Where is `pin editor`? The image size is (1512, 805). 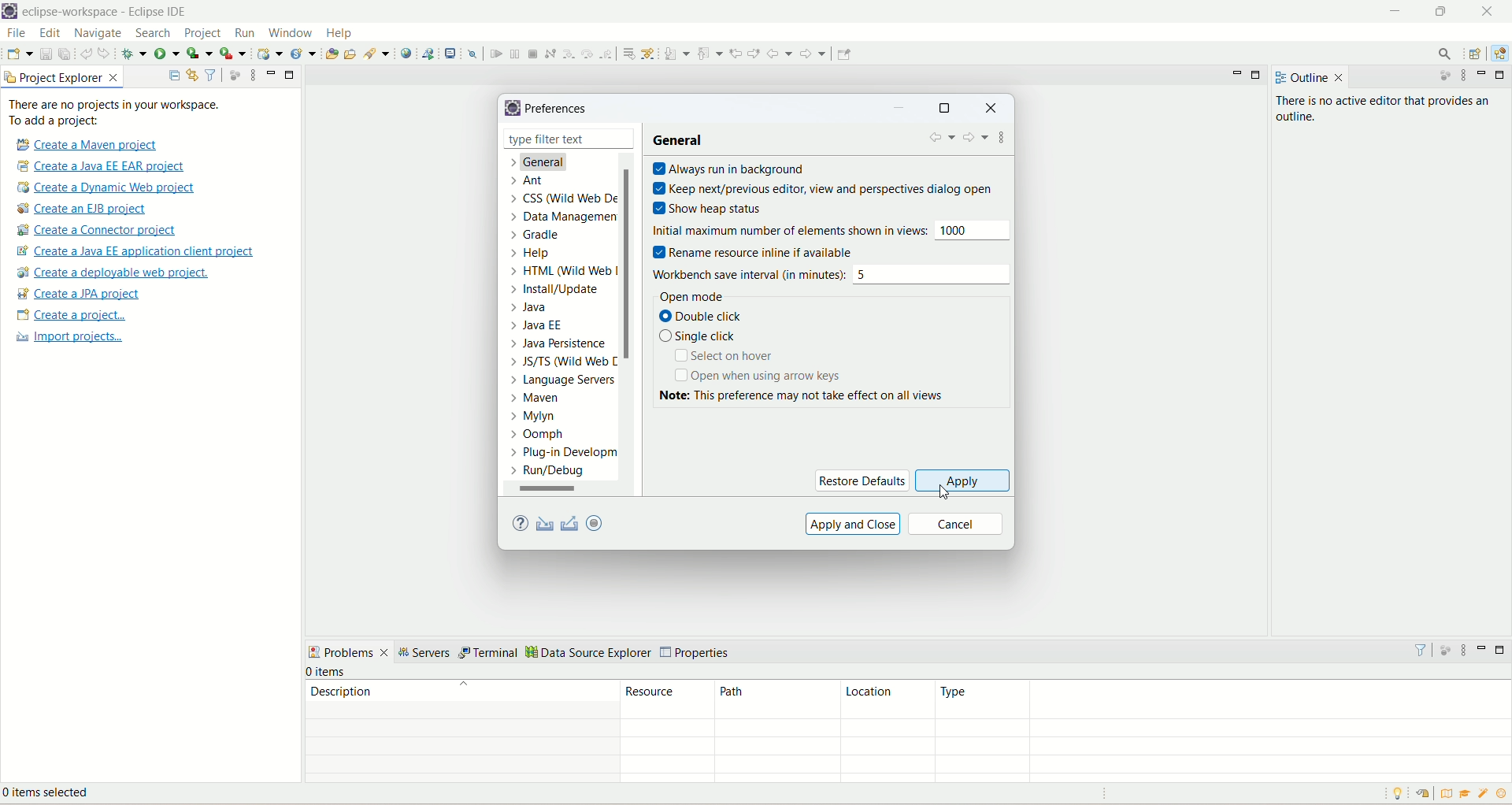
pin editor is located at coordinates (844, 54).